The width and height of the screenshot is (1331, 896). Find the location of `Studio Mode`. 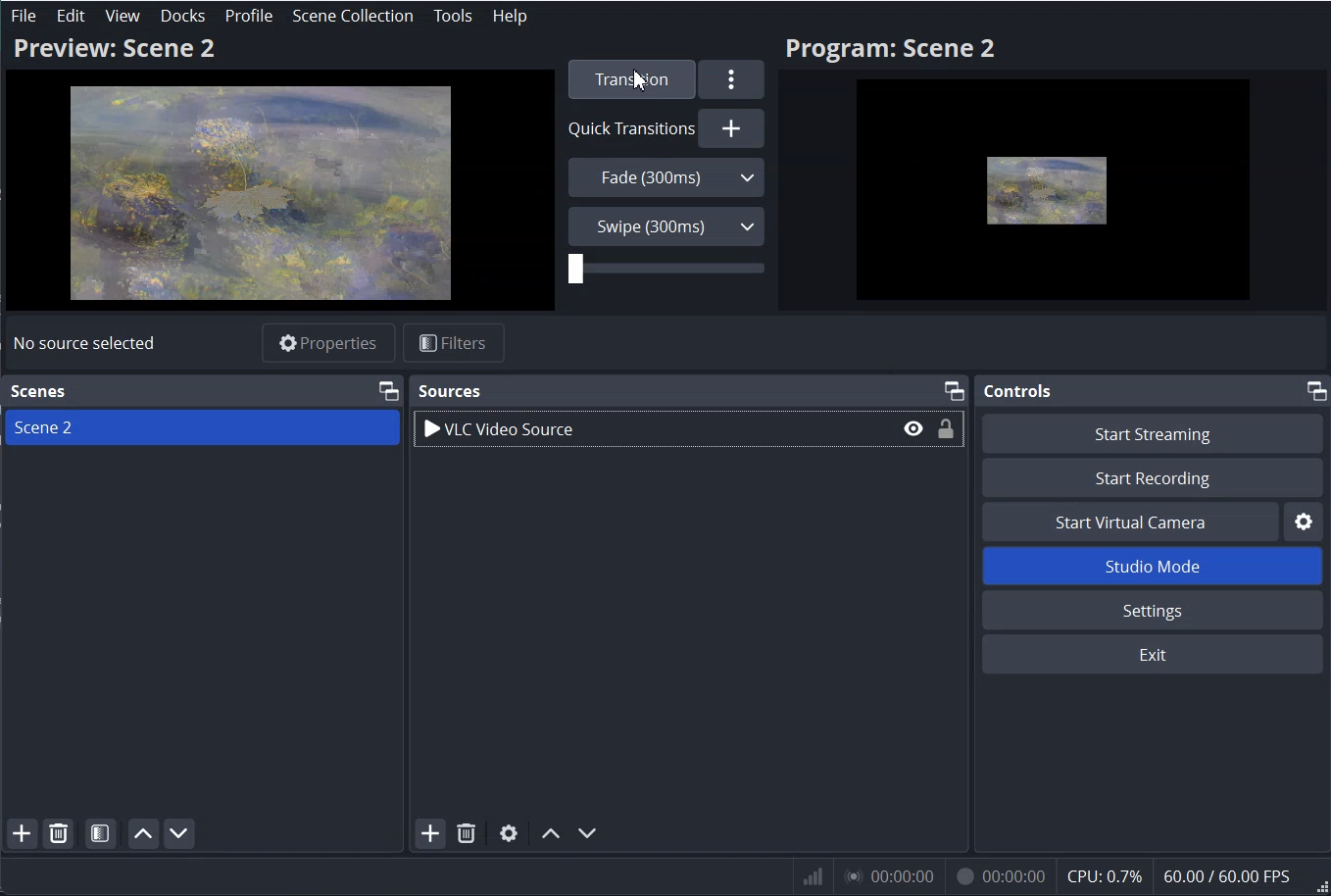

Studio Mode is located at coordinates (1156, 565).